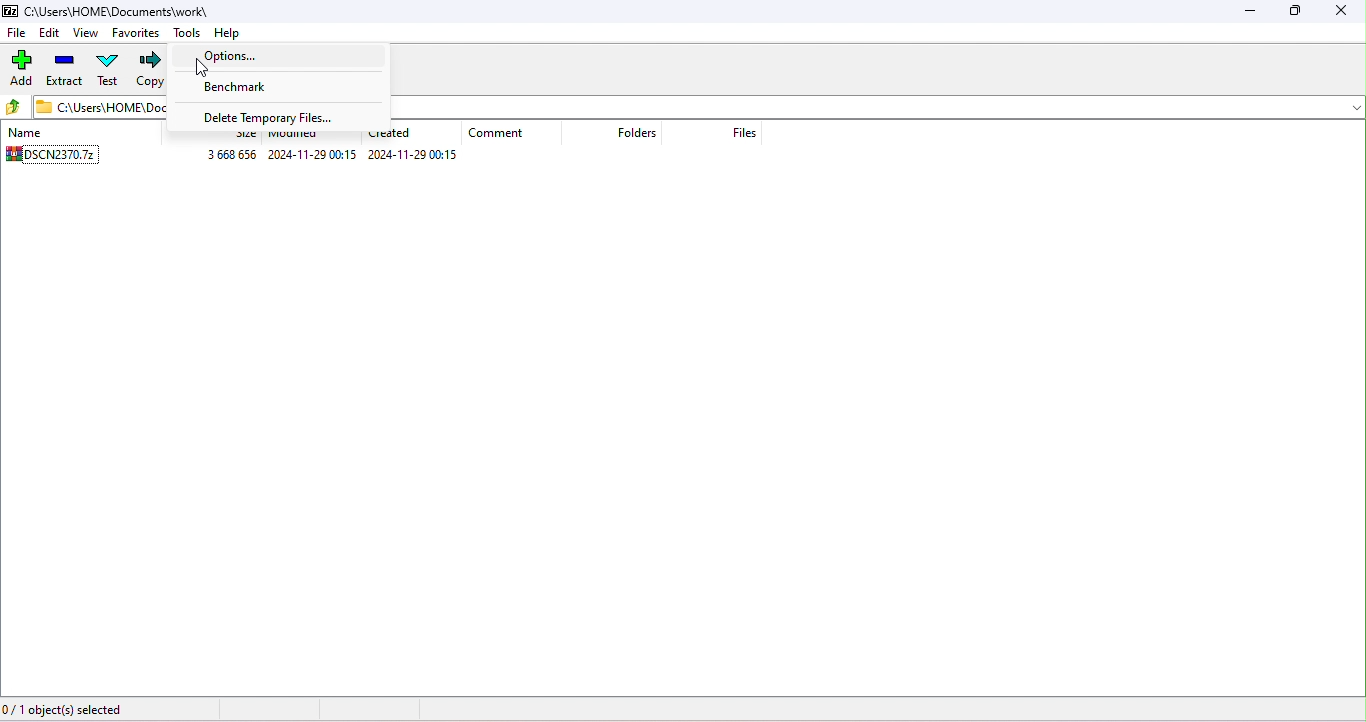  Describe the element at coordinates (151, 70) in the screenshot. I see `copy` at that location.